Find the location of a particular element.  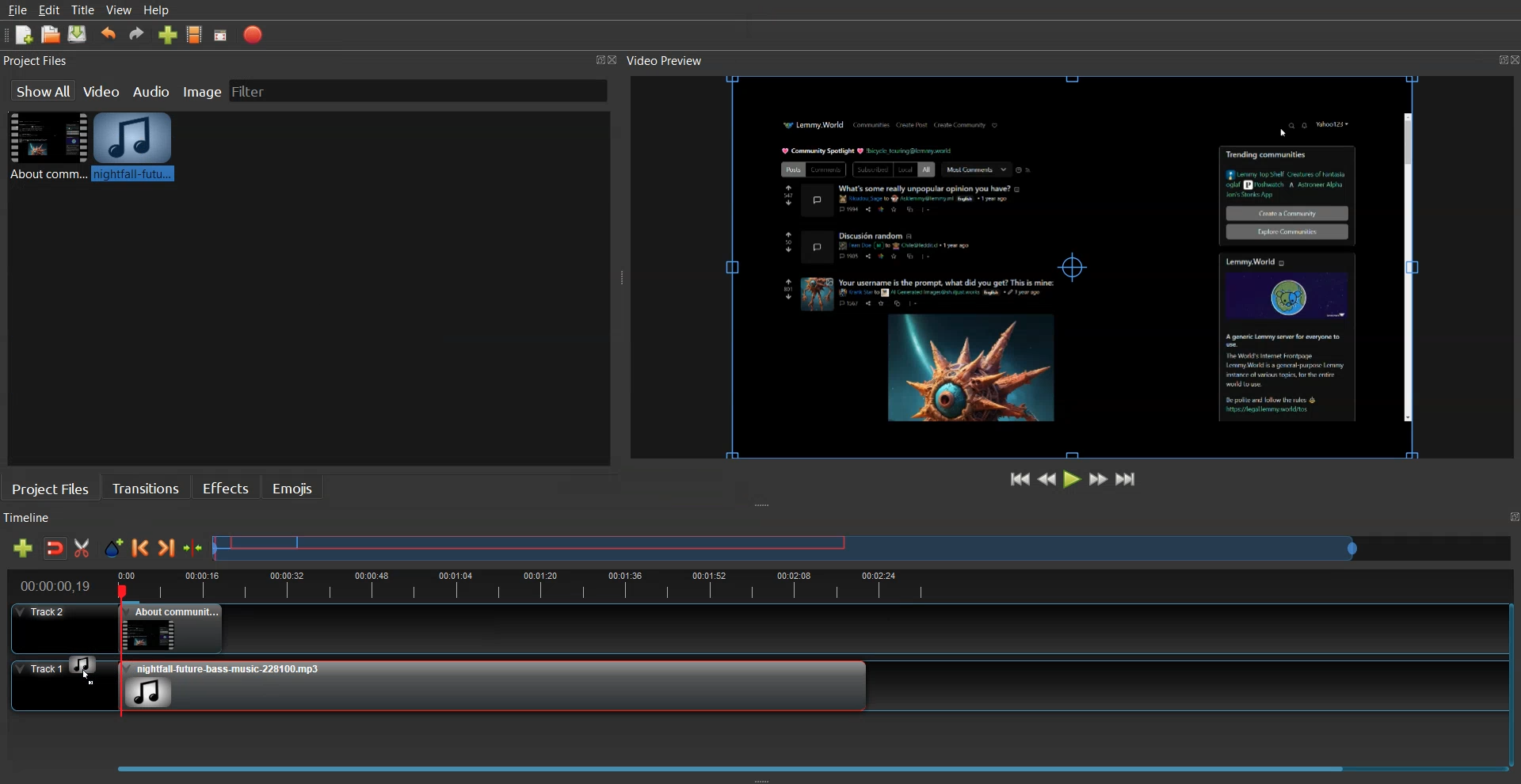

Slider is located at coordinates (757, 763).